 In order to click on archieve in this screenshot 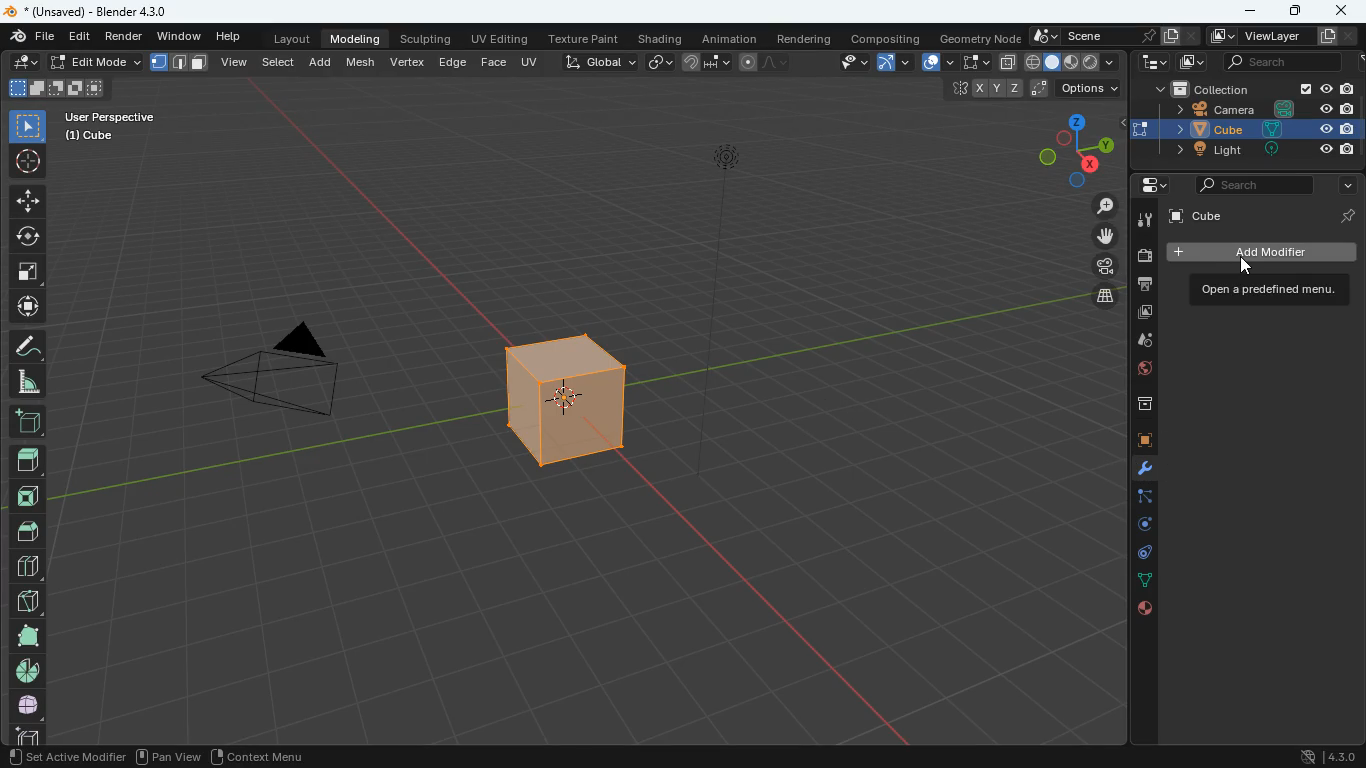, I will do `click(1137, 406)`.